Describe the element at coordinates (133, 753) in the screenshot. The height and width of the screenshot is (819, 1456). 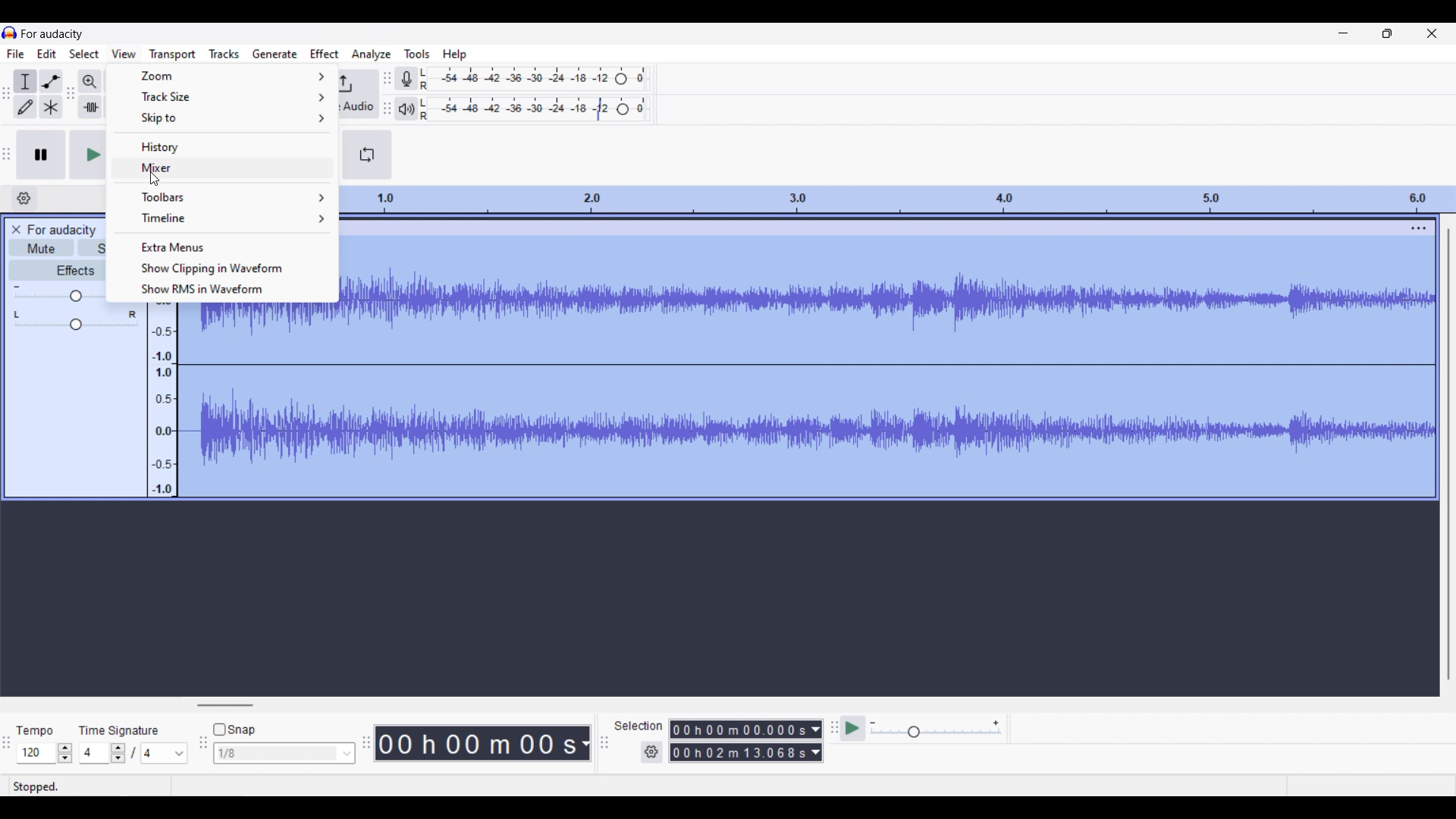
I see `Time signature settings` at that location.